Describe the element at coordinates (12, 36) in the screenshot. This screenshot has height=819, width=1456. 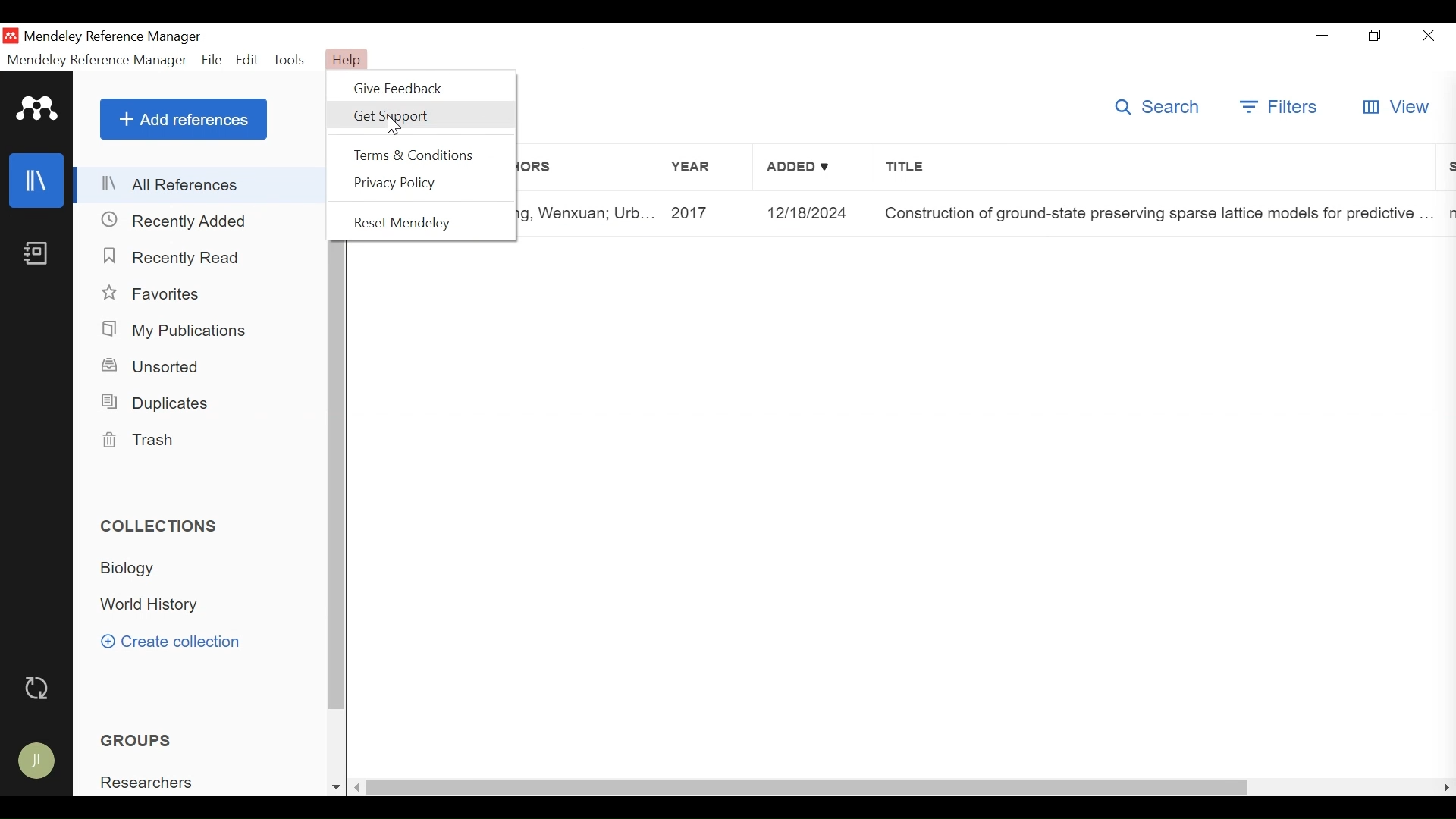
I see `Mendeley Desktop Icon` at that location.